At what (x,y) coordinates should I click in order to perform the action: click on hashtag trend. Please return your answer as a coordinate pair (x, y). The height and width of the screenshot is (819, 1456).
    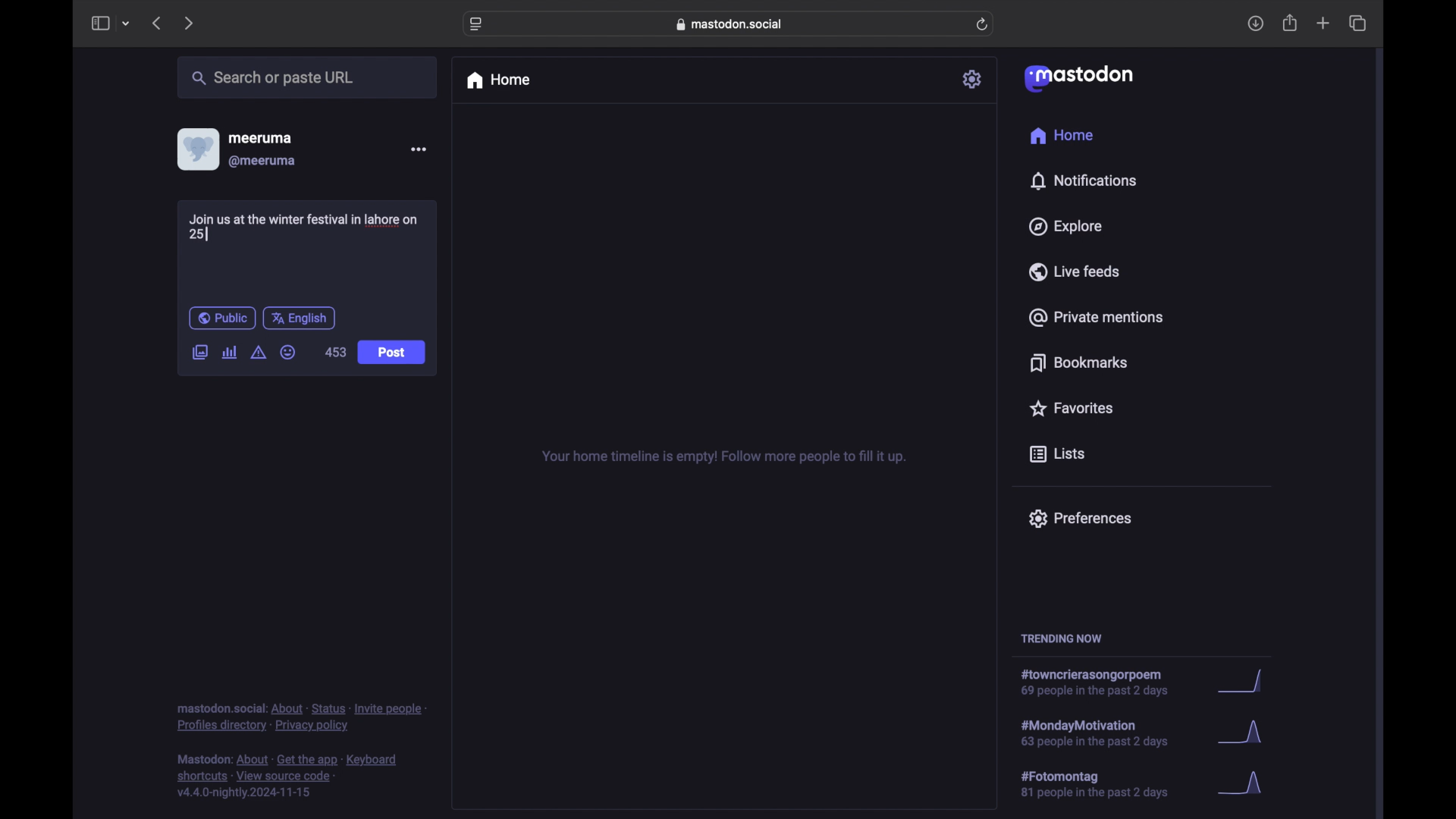
    Looking at the image, I should click on (1103, 683).